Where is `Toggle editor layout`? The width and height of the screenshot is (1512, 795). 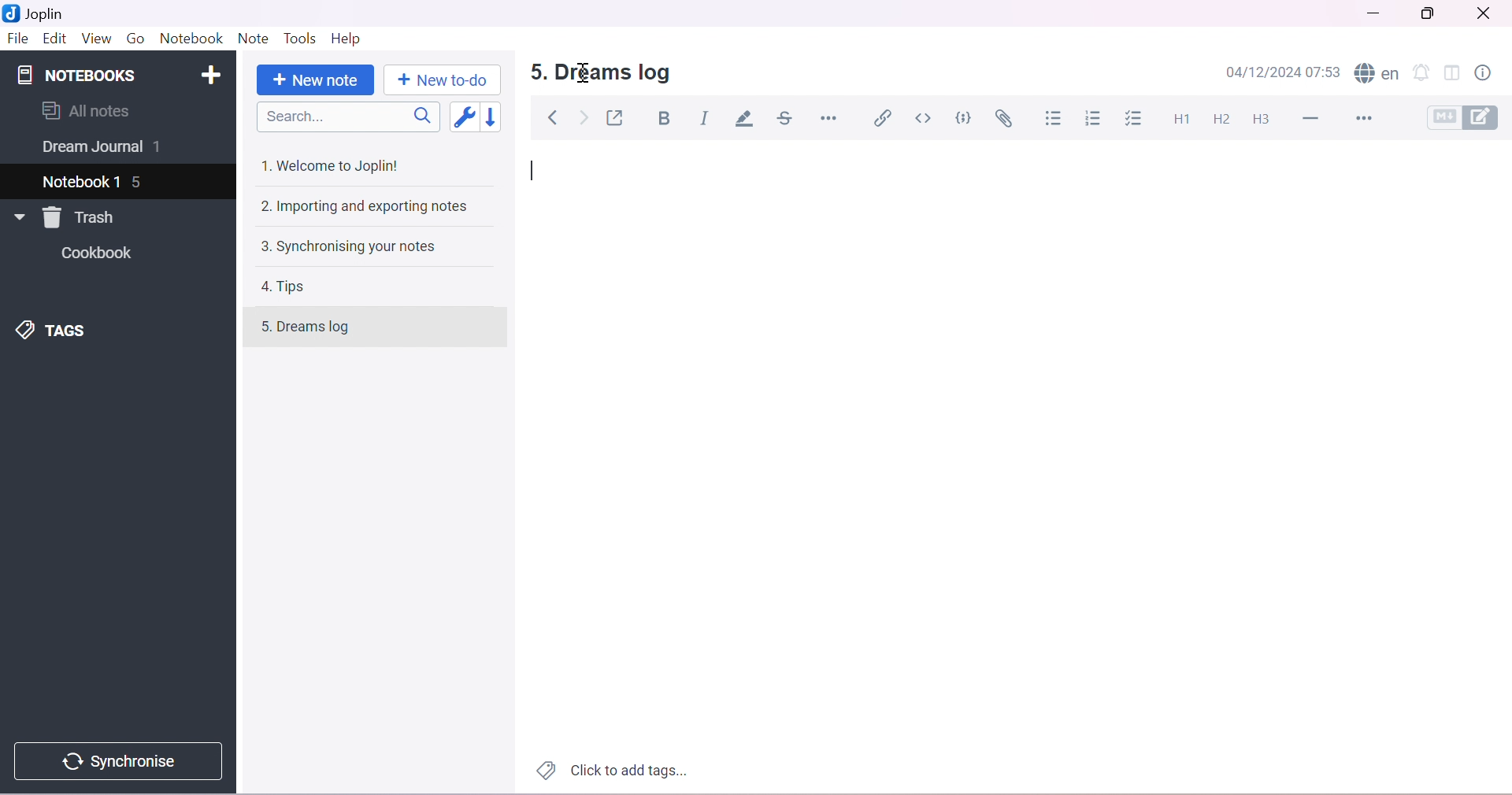 Toggle editor layout is located at coordinates (1455, 72).